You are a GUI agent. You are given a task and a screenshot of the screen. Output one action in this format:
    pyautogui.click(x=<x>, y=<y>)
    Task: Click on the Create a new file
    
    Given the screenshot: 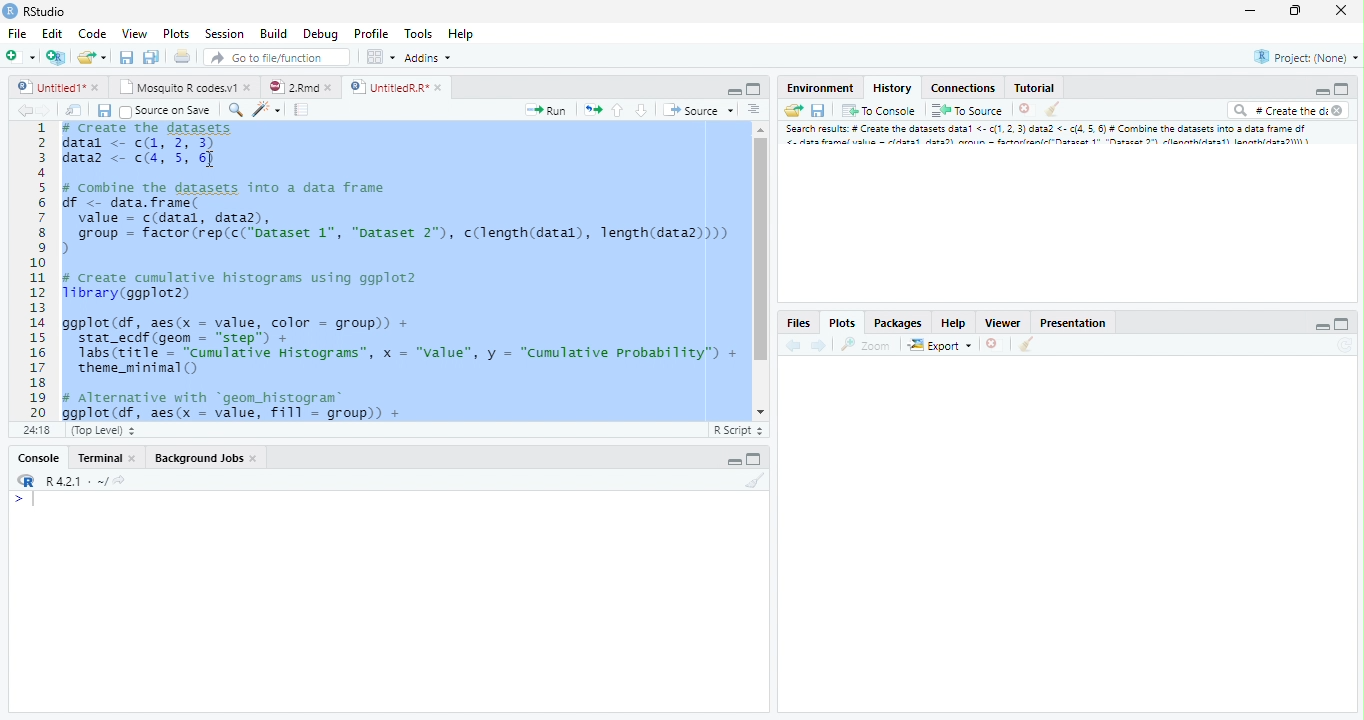 What is the action you would take?
    pyautogui.click(x=94, y=57)
    